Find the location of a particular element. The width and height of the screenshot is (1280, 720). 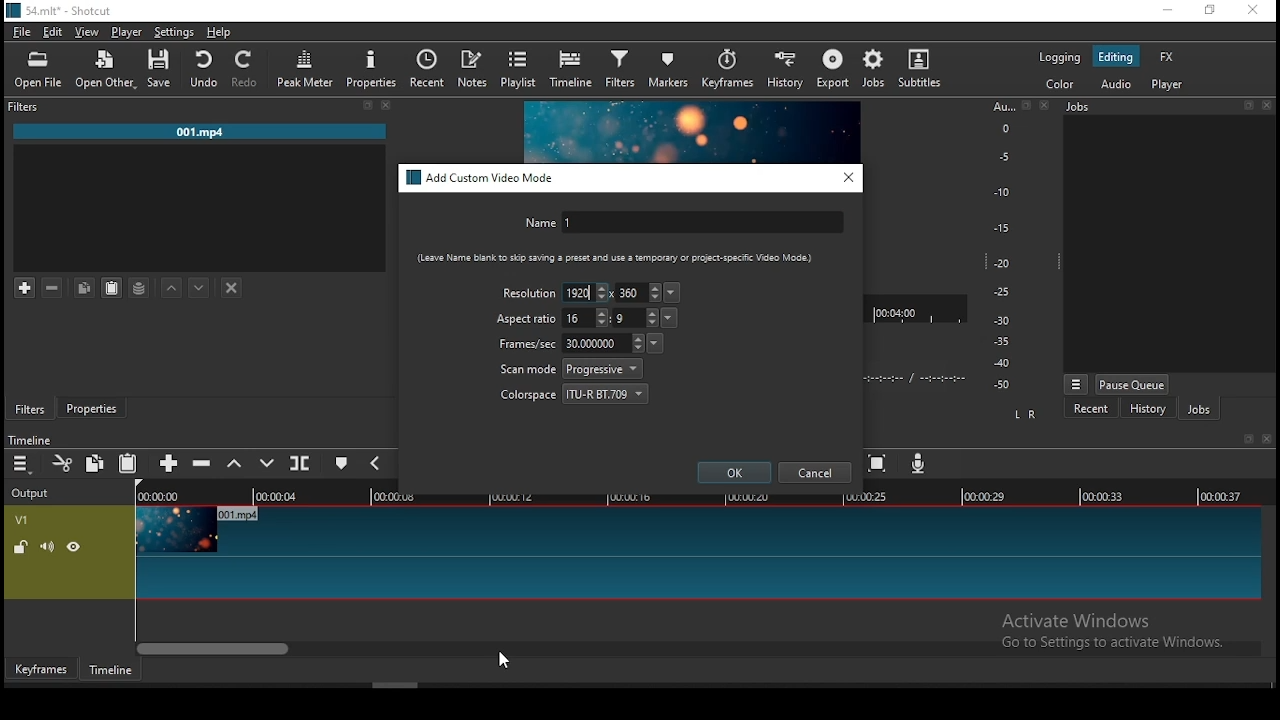

recent is located at coordinates (1091, 409).